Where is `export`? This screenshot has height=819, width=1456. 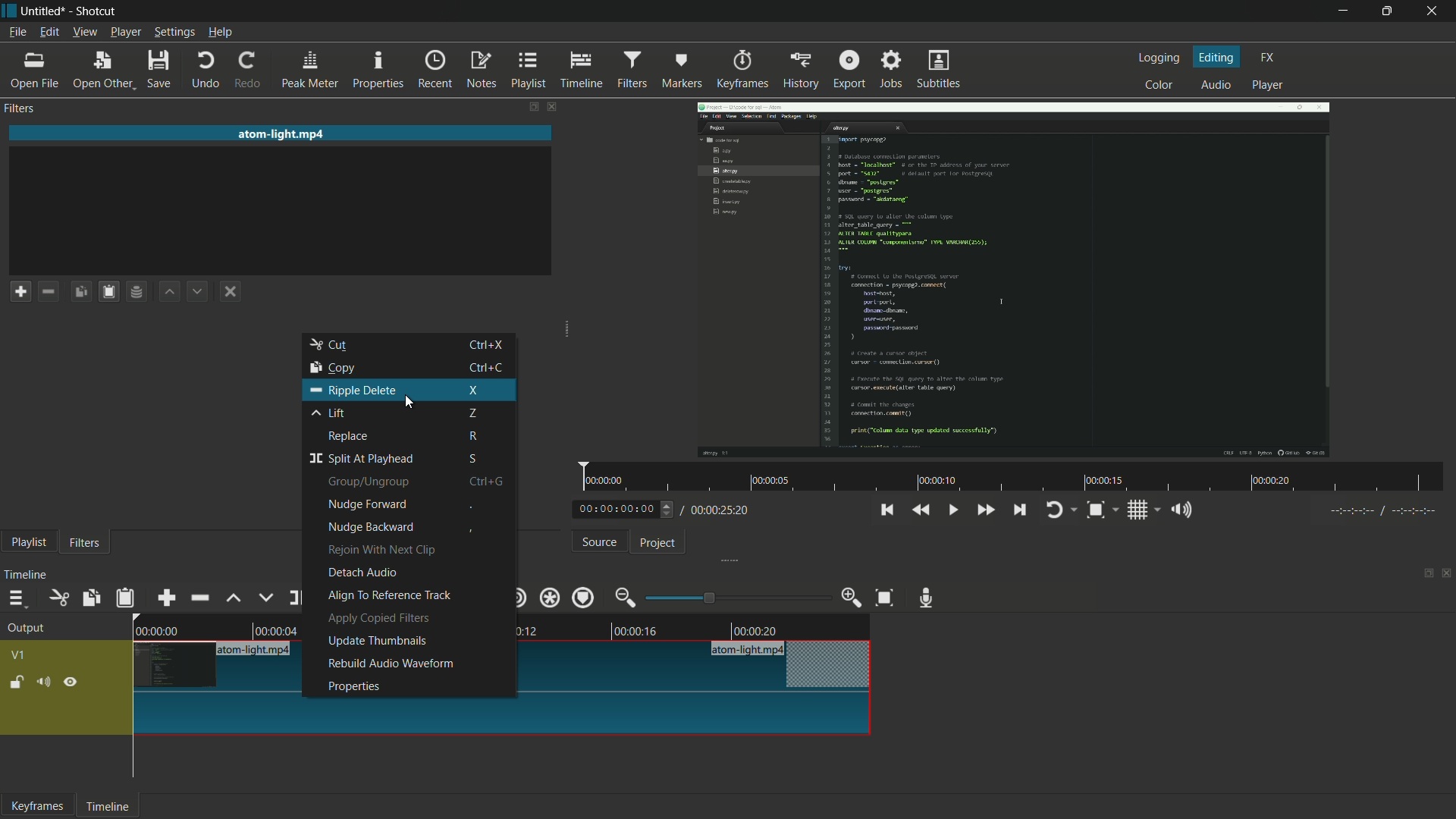
export is located at coordinates (849, 69).